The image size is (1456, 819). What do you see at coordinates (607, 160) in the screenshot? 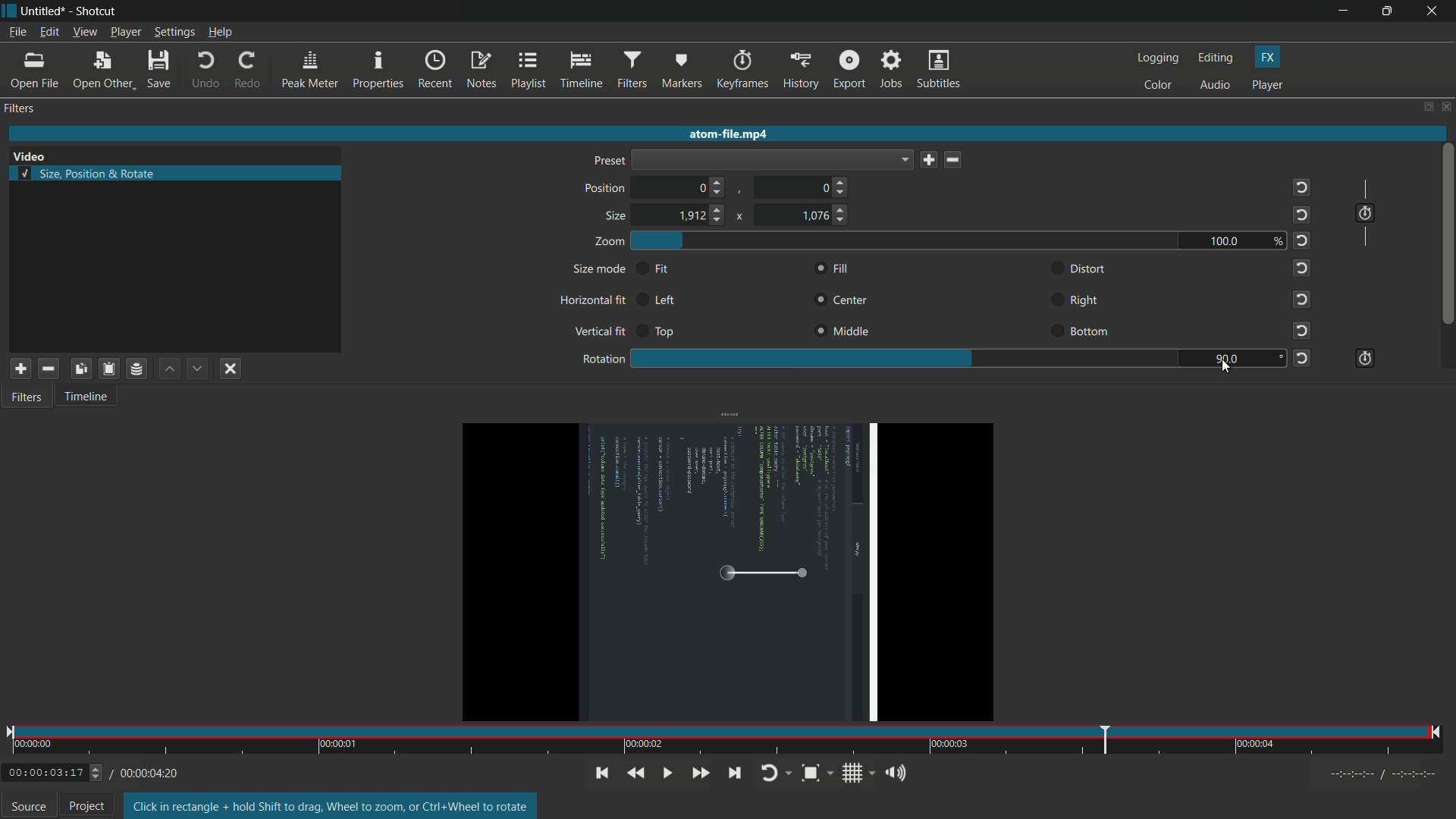
I see `preset` at bounding box center [607, 160].